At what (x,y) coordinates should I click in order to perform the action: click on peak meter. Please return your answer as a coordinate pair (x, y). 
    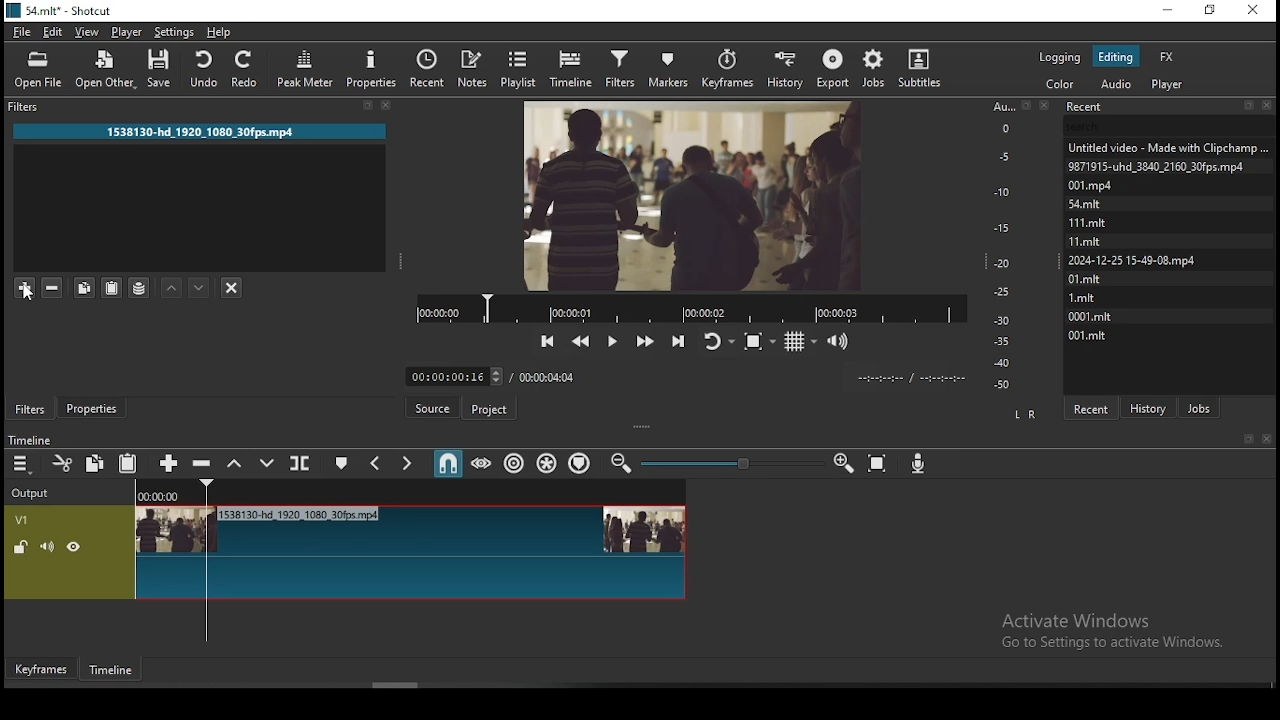
    Looking at the image, I should click on (307, 73).